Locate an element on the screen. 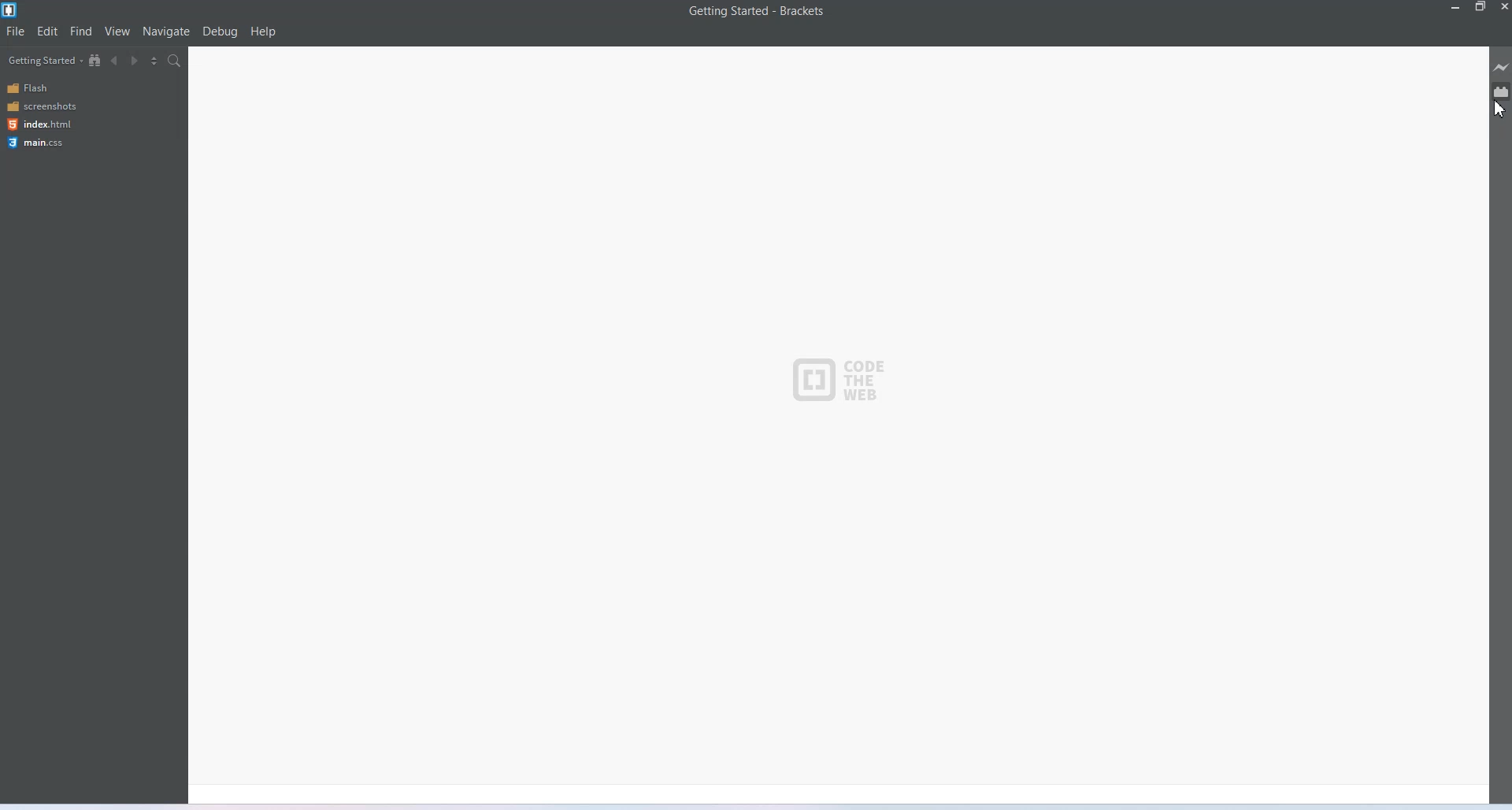 The width and height of the screenshot is (1512, 810). Navigate Backwards is located at coordinates (117, 61).